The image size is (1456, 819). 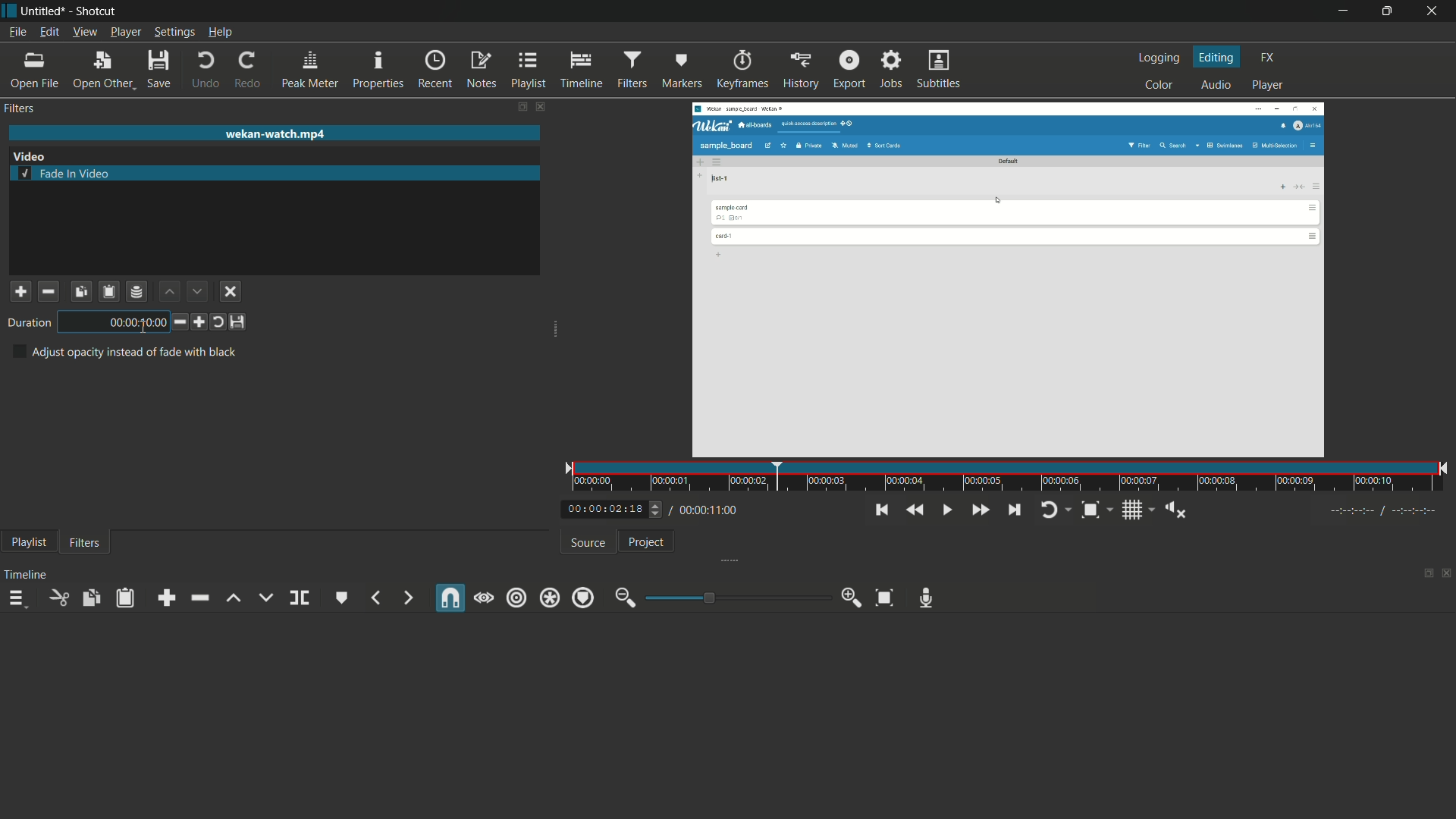 I want to click on playlist, so click(x=30, y=542).